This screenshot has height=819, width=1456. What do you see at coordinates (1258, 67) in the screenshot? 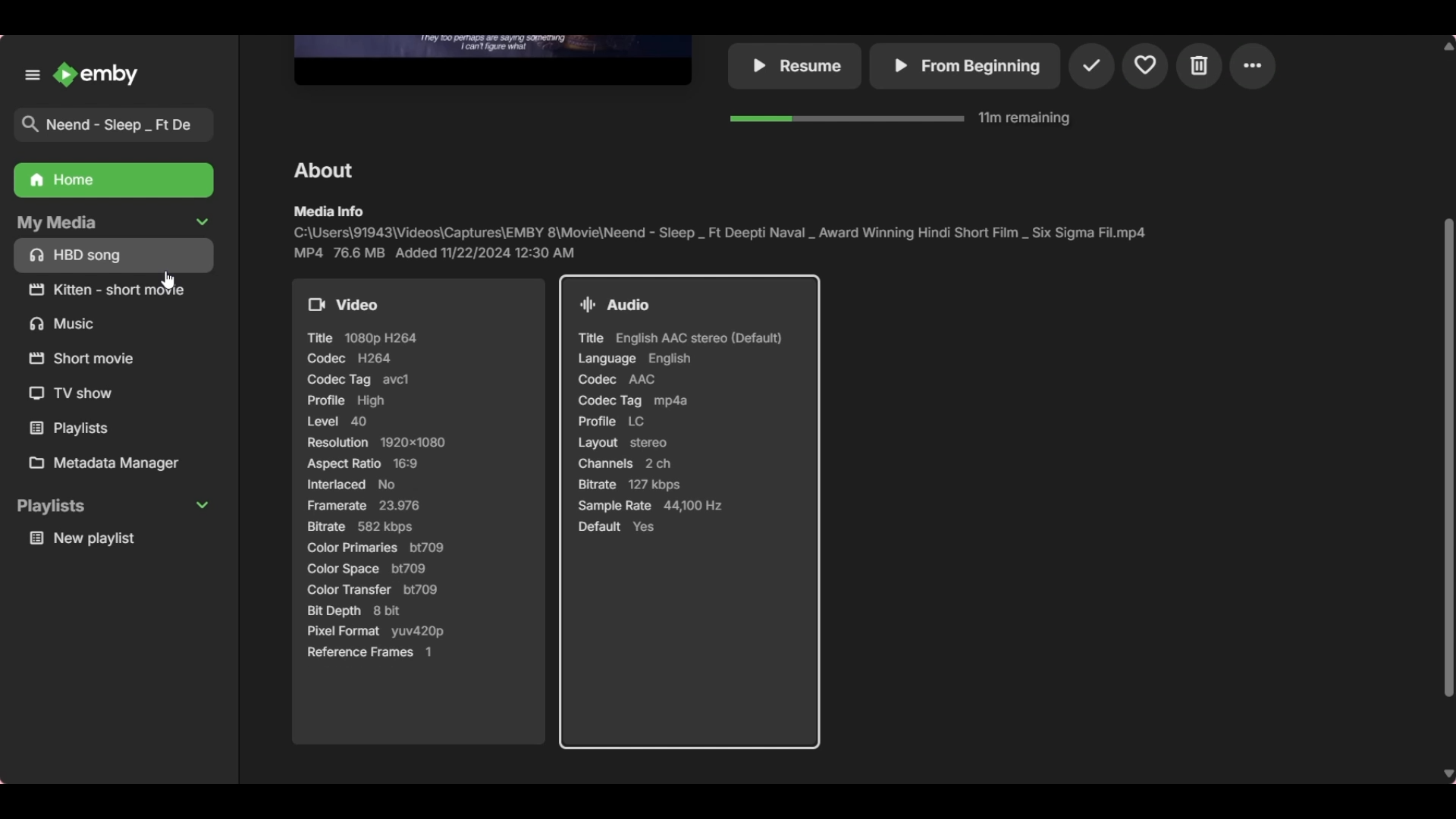
I see `` at bounding box center [1258, 67].